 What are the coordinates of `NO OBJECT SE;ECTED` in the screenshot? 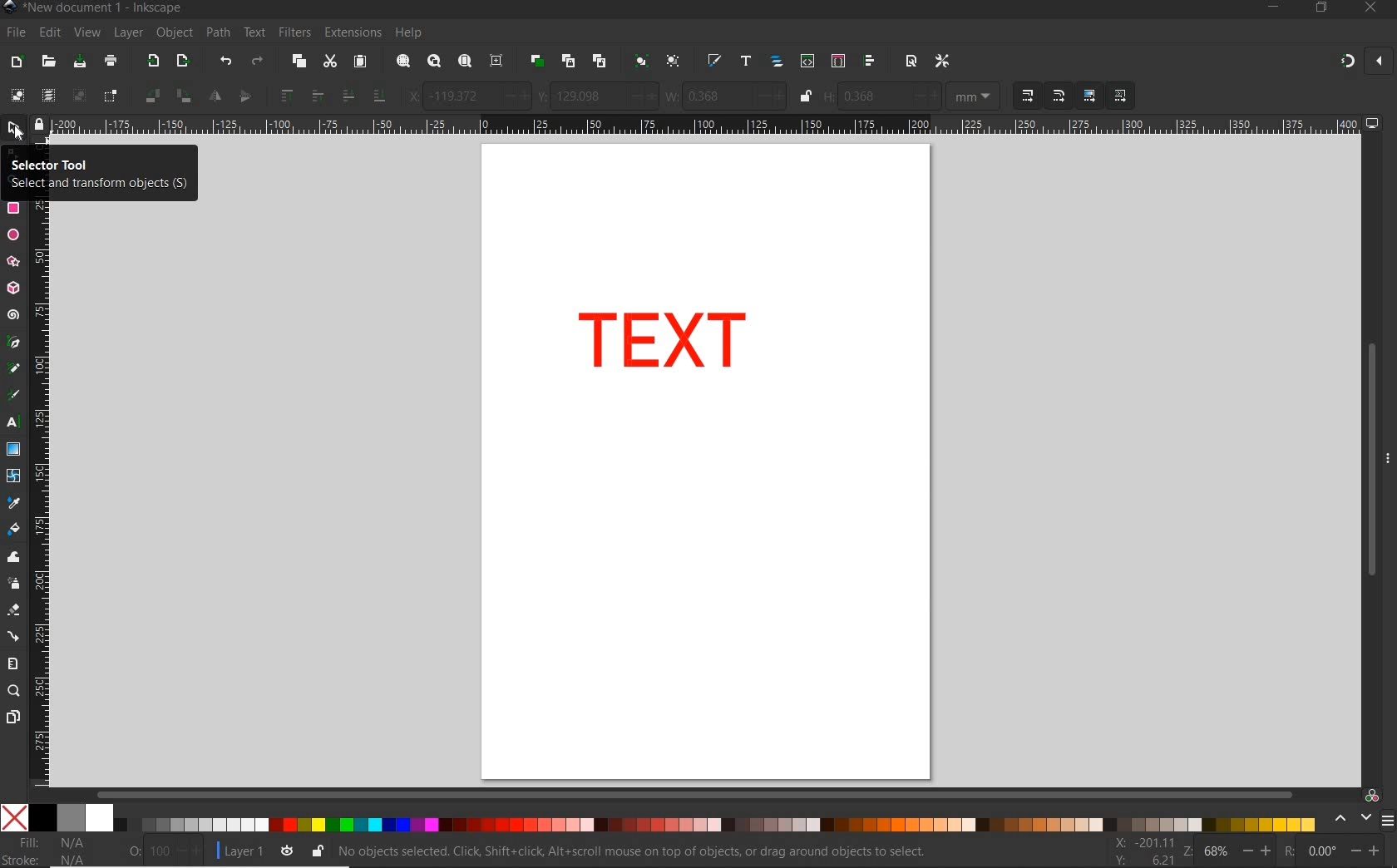 It's located at (633, 854).